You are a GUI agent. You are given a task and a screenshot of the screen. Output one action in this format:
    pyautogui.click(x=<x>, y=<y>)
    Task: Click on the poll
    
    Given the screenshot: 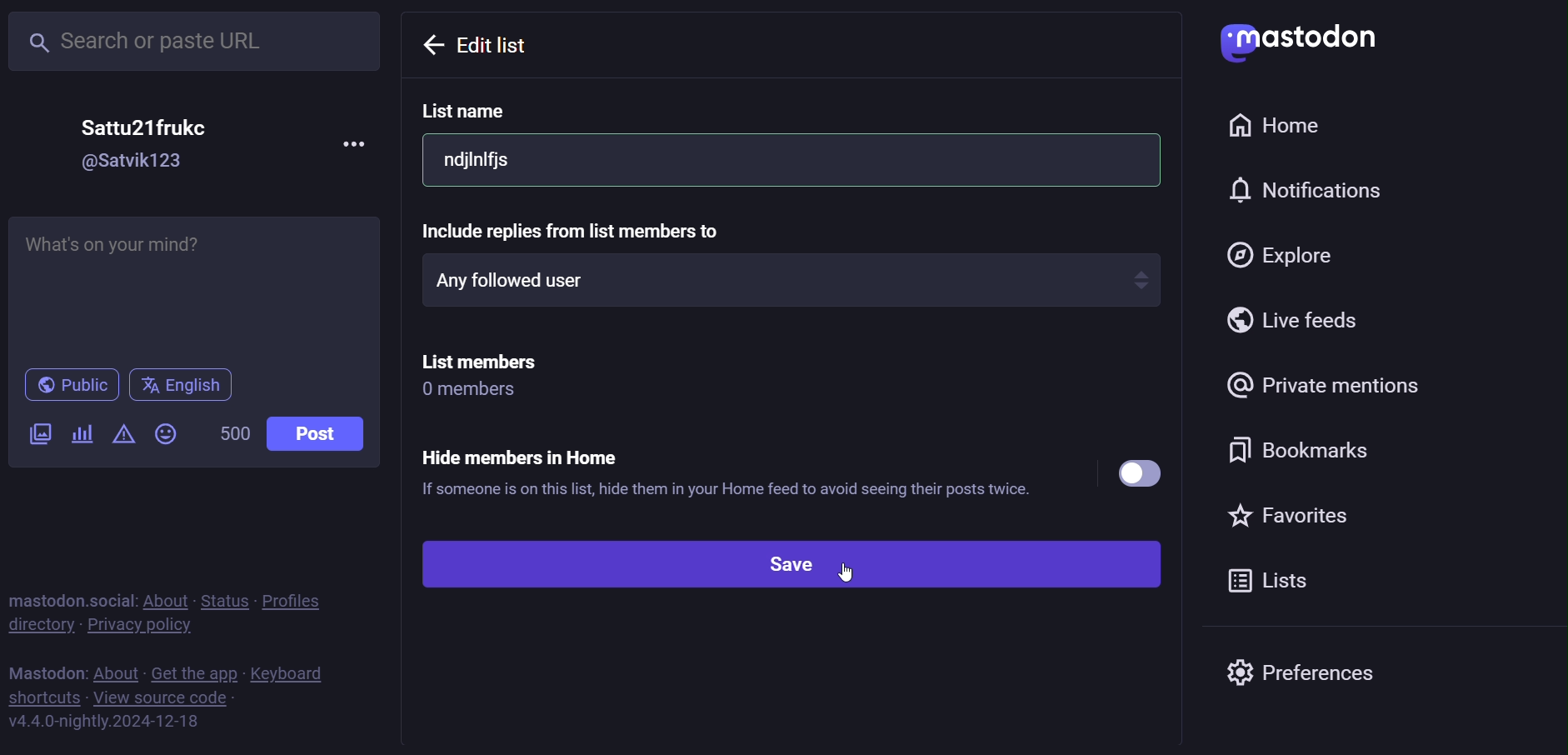 What is the action you would take?
    pyautogui.click(x=88, y=434)
    